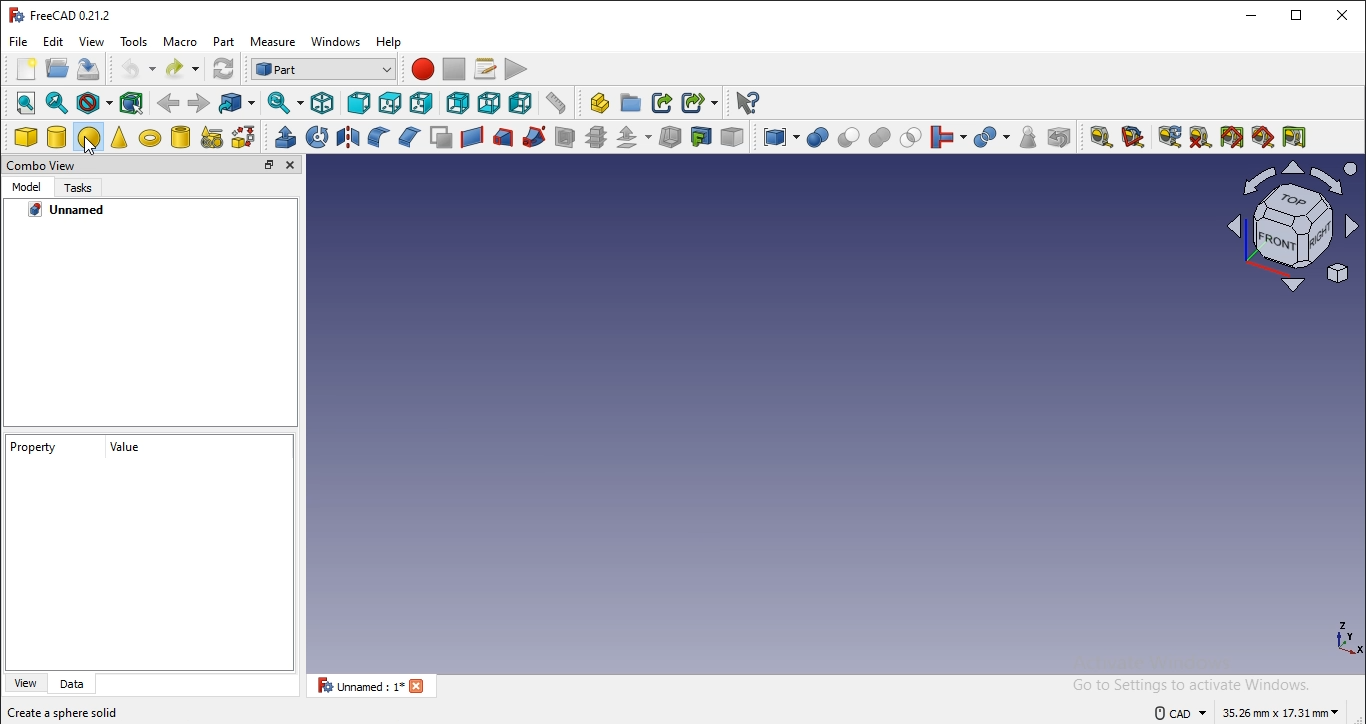  Describe the element at coordinates (911, 139) in the screenshot. I see `intersection` at that location.